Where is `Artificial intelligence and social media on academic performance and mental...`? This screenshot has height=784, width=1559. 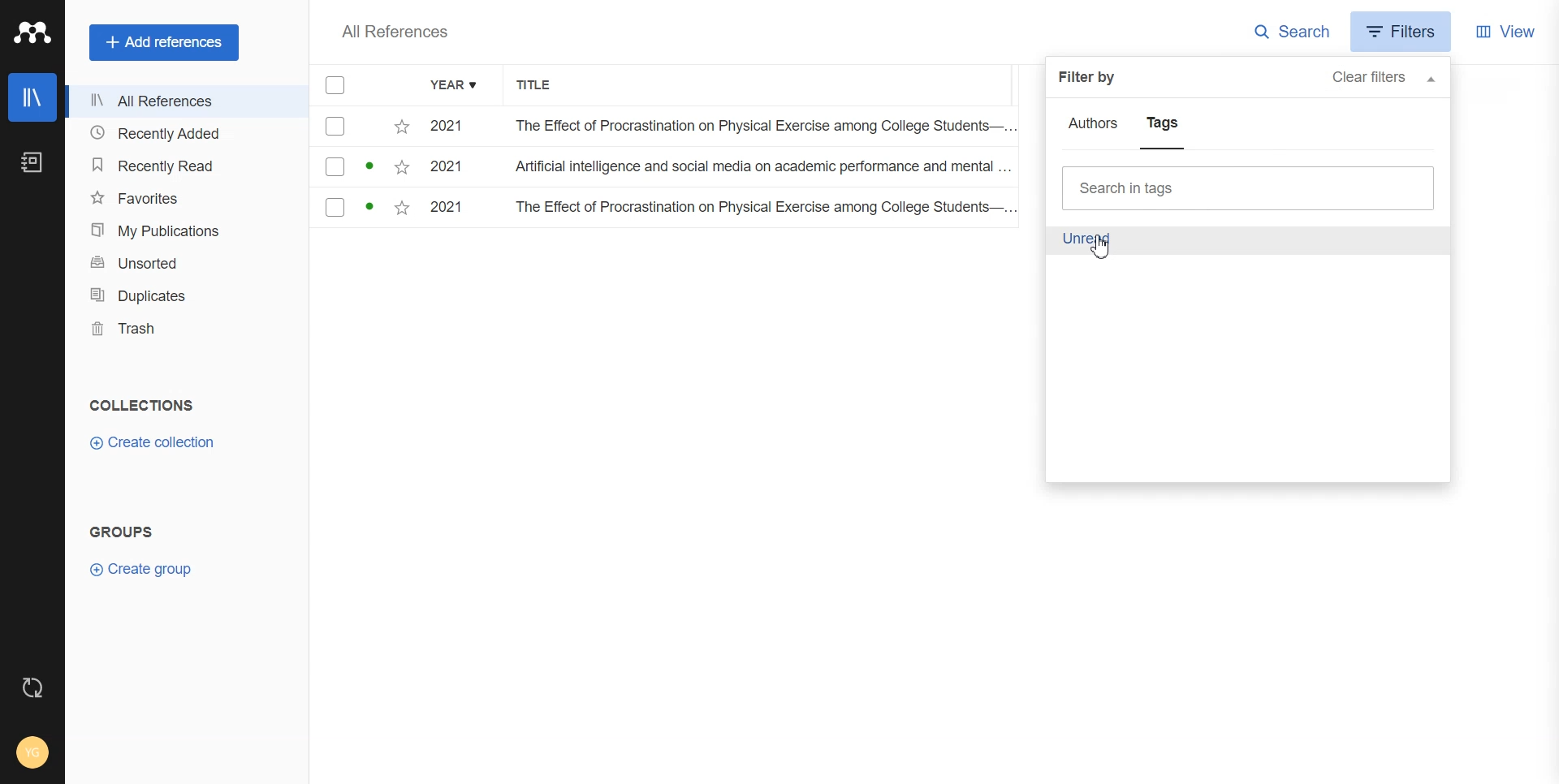
Artificial intelligence and social media on academic performance and mental... is located at coordinates (763, 170).